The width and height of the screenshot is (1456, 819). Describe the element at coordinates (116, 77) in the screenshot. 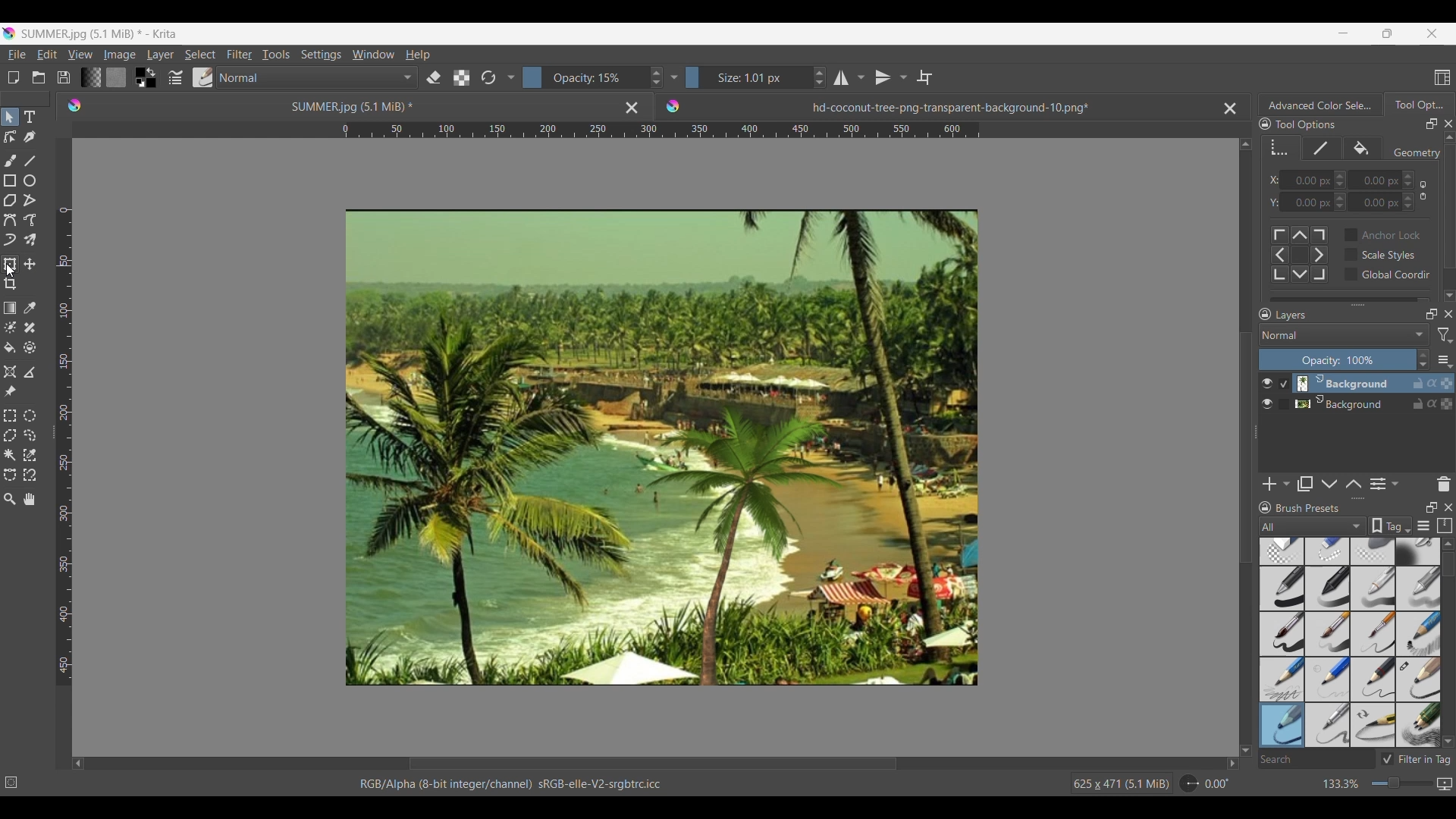

I see `Fill patterns` at that location.